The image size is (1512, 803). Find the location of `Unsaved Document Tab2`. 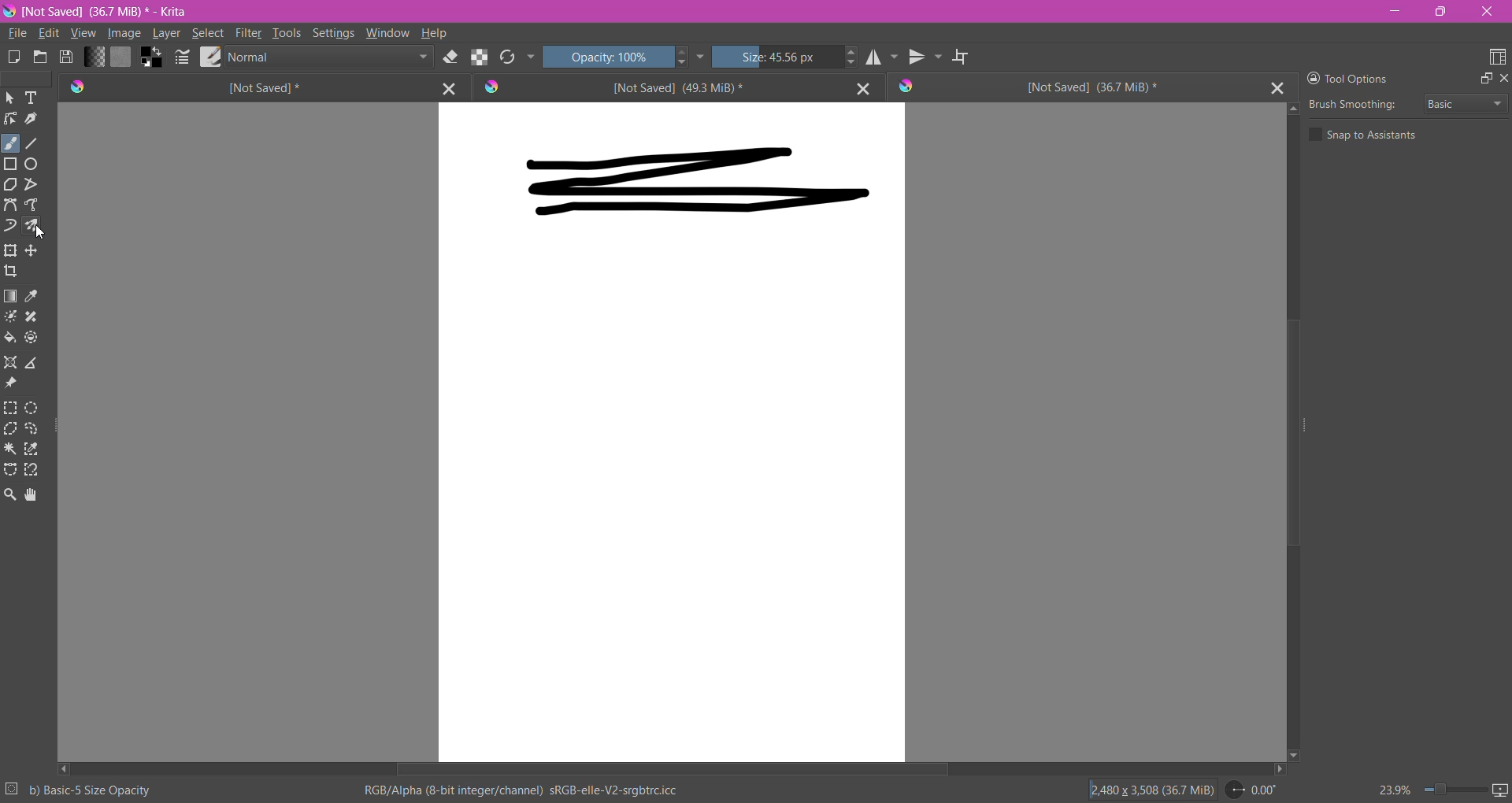

Unsaved Document Tab2 is located at coordinates (652, 87).